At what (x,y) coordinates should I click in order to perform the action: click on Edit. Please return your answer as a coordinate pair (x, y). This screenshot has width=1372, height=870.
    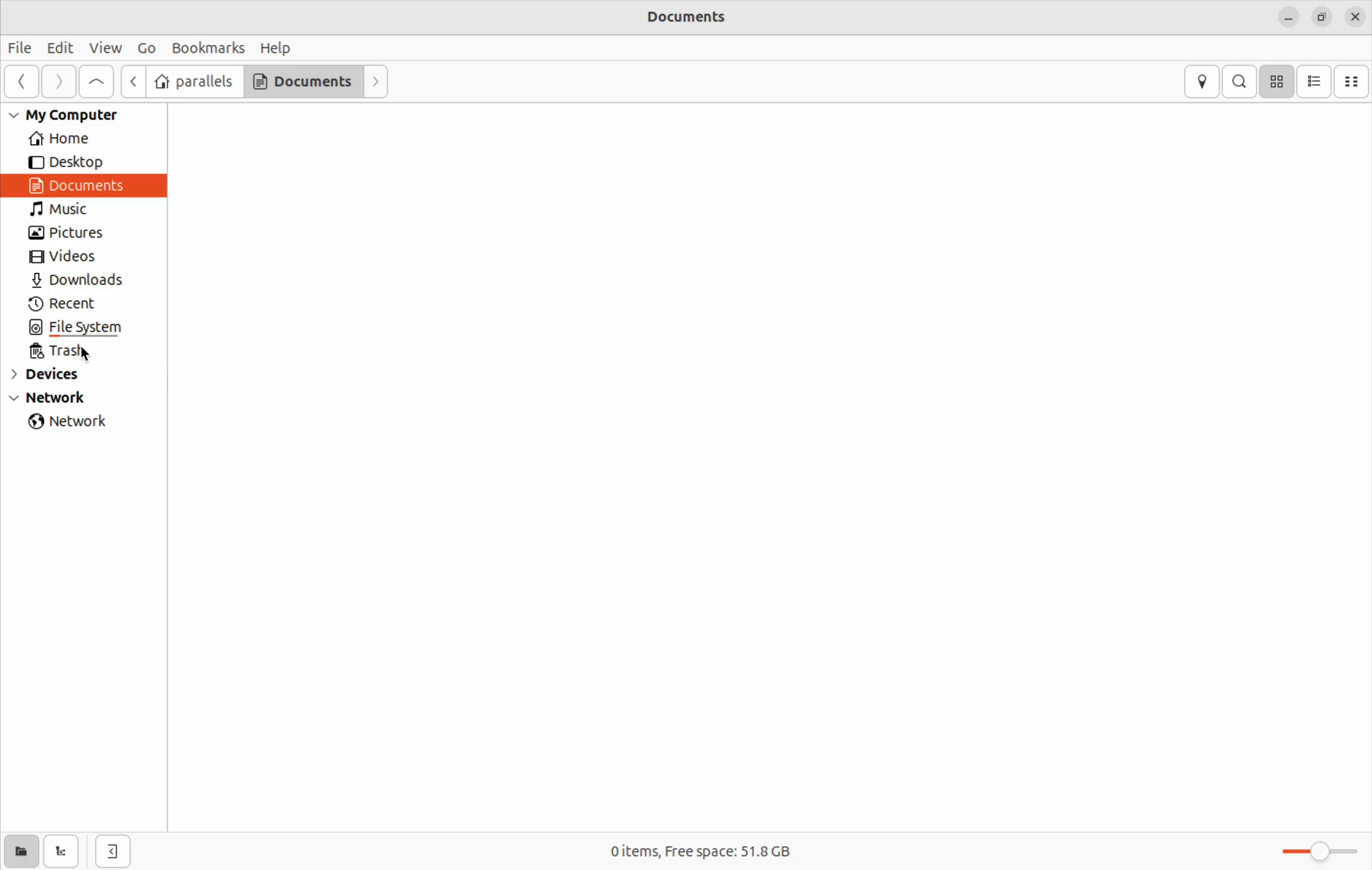
    Looking at the image, I should click on (59, 47).